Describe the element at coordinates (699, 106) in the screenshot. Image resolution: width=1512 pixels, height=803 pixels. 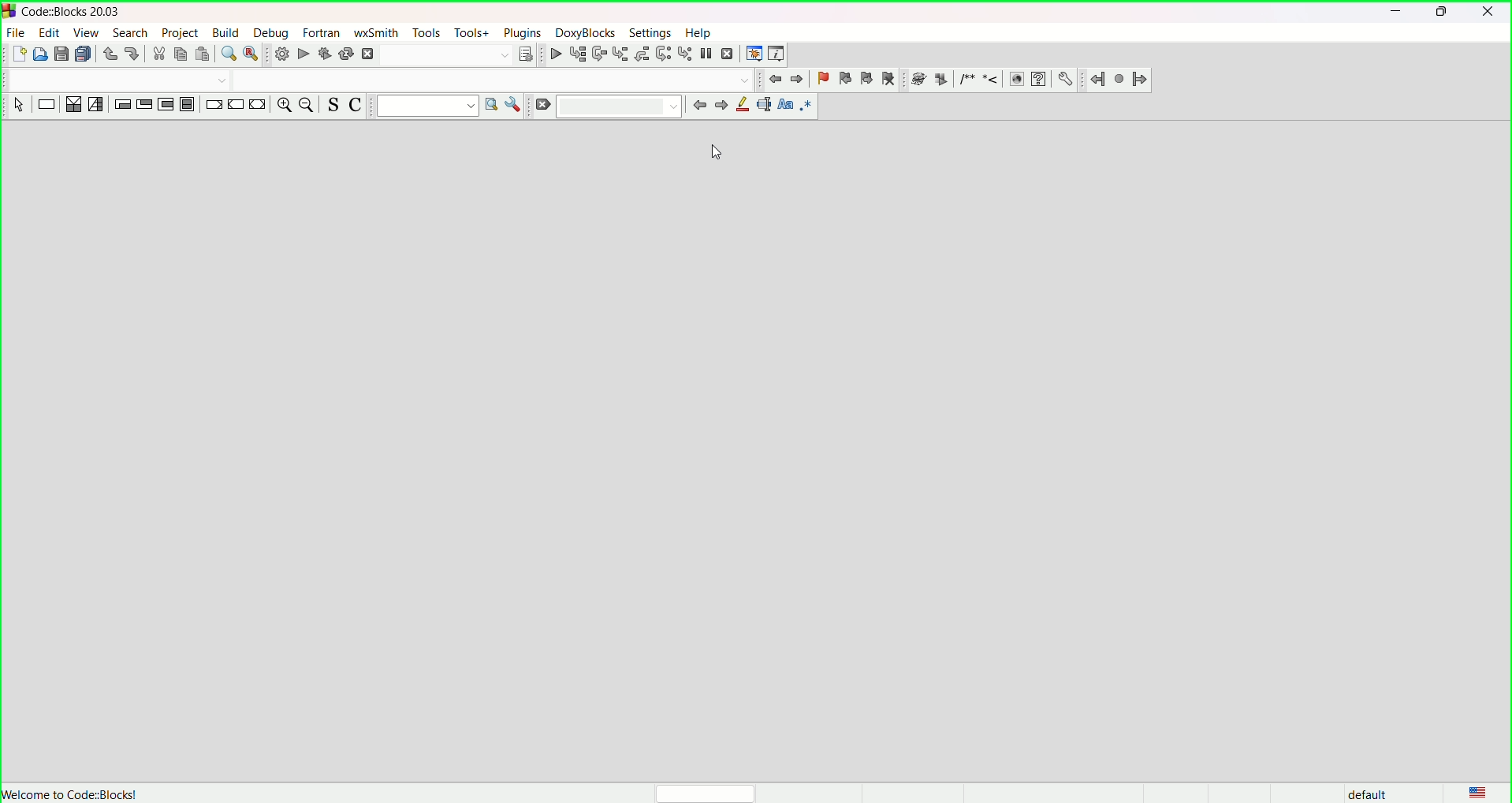
I see `prev` at that location.